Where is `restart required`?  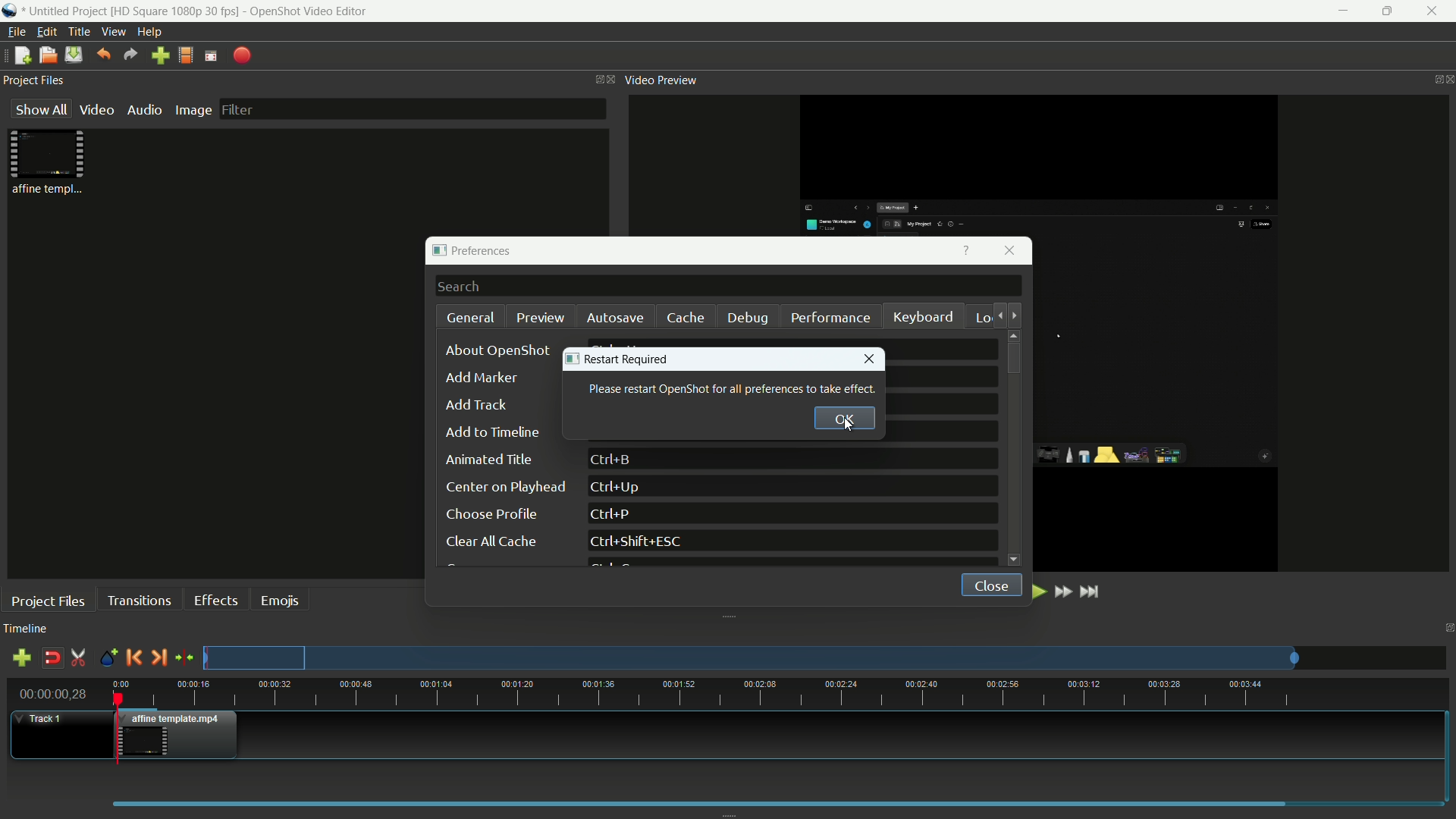
restart required is located at coordinates (620, 359).